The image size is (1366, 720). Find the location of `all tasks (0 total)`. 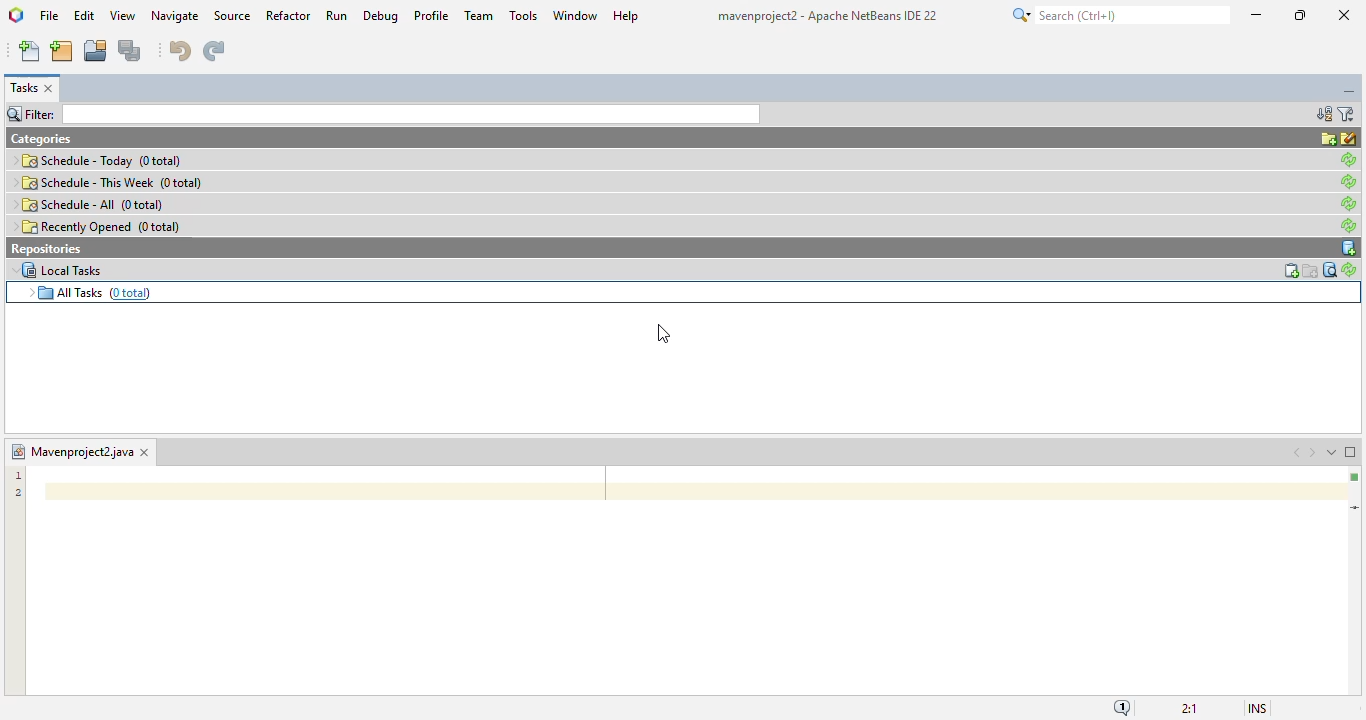

all tasks (0 total) is located at coordinates (85, 292).